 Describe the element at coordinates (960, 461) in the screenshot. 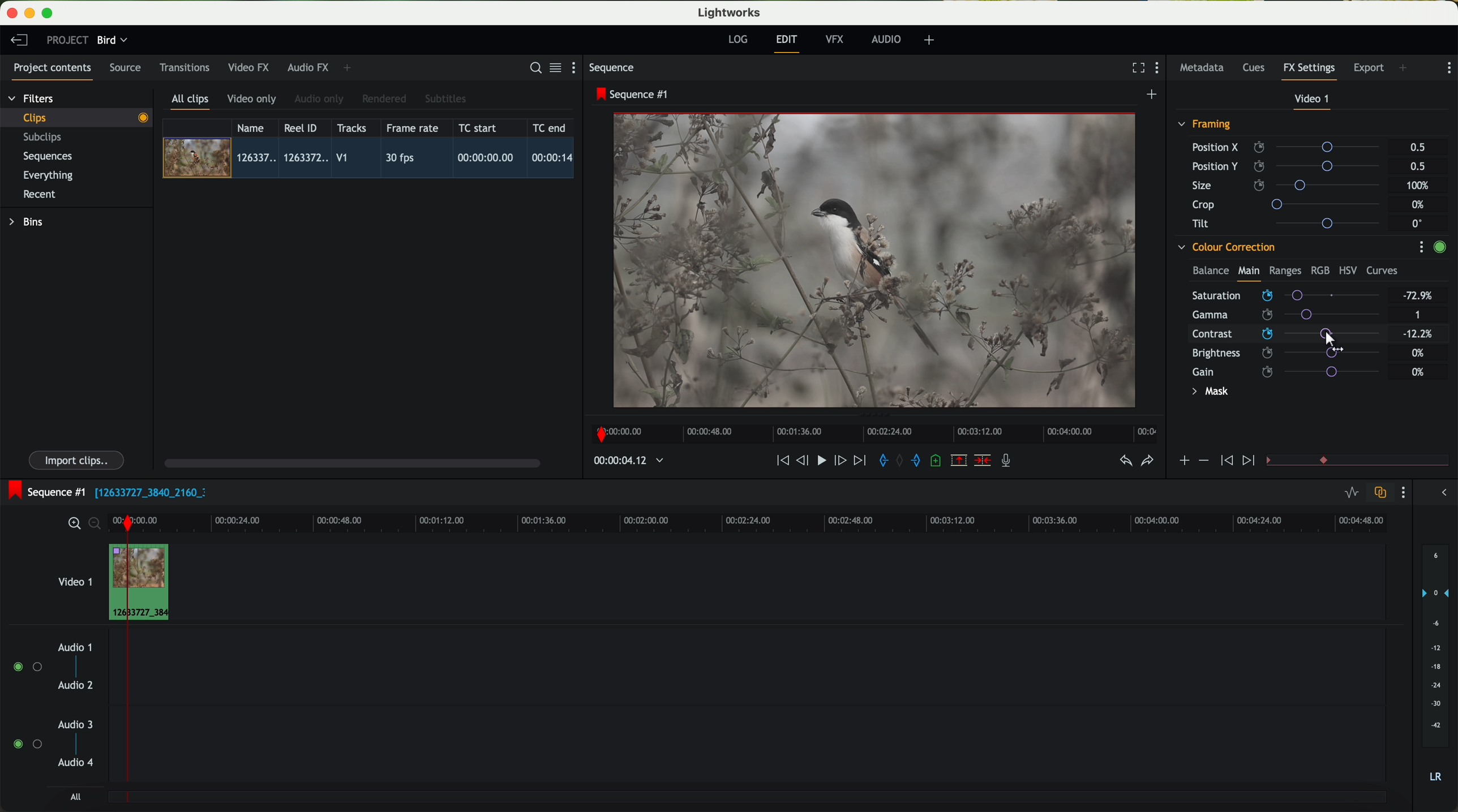

I see `remove the marked section` at that location.